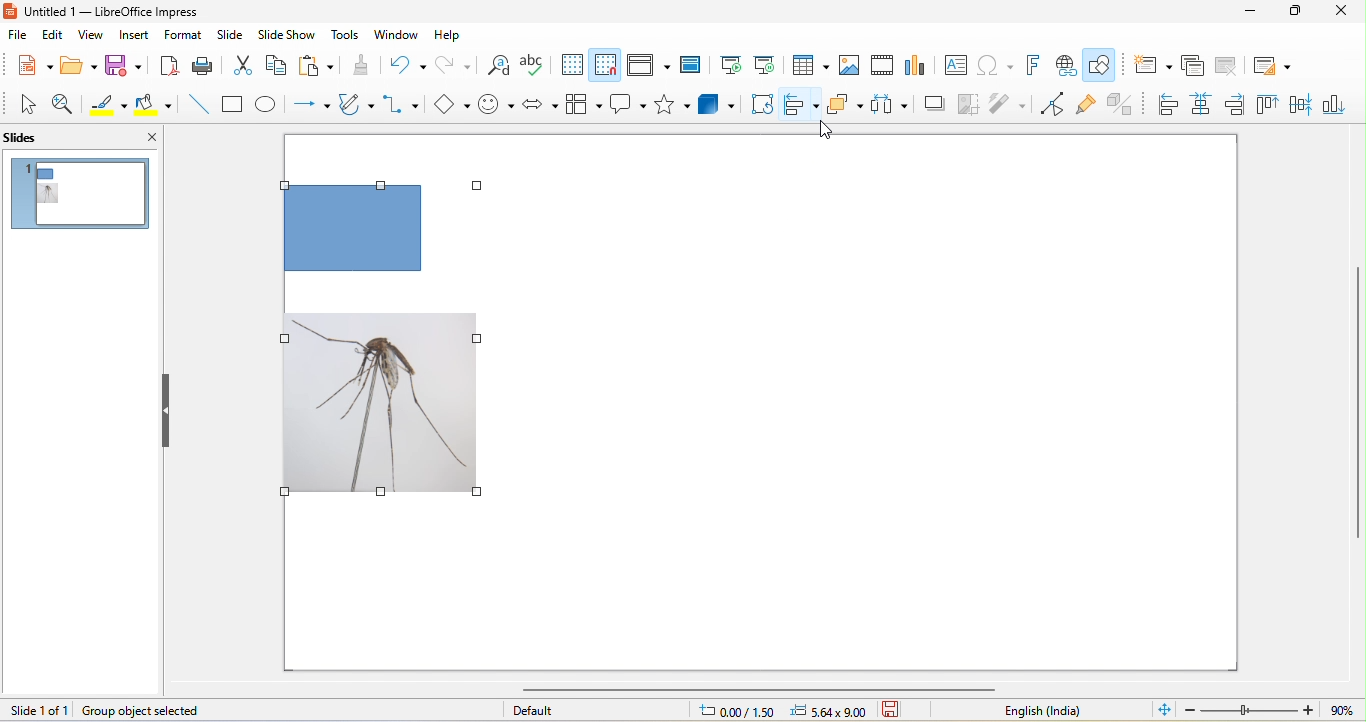 Image resolution: width=1366 pixels, height=722 pixels. I want to click on crop image, so click(967, 106).